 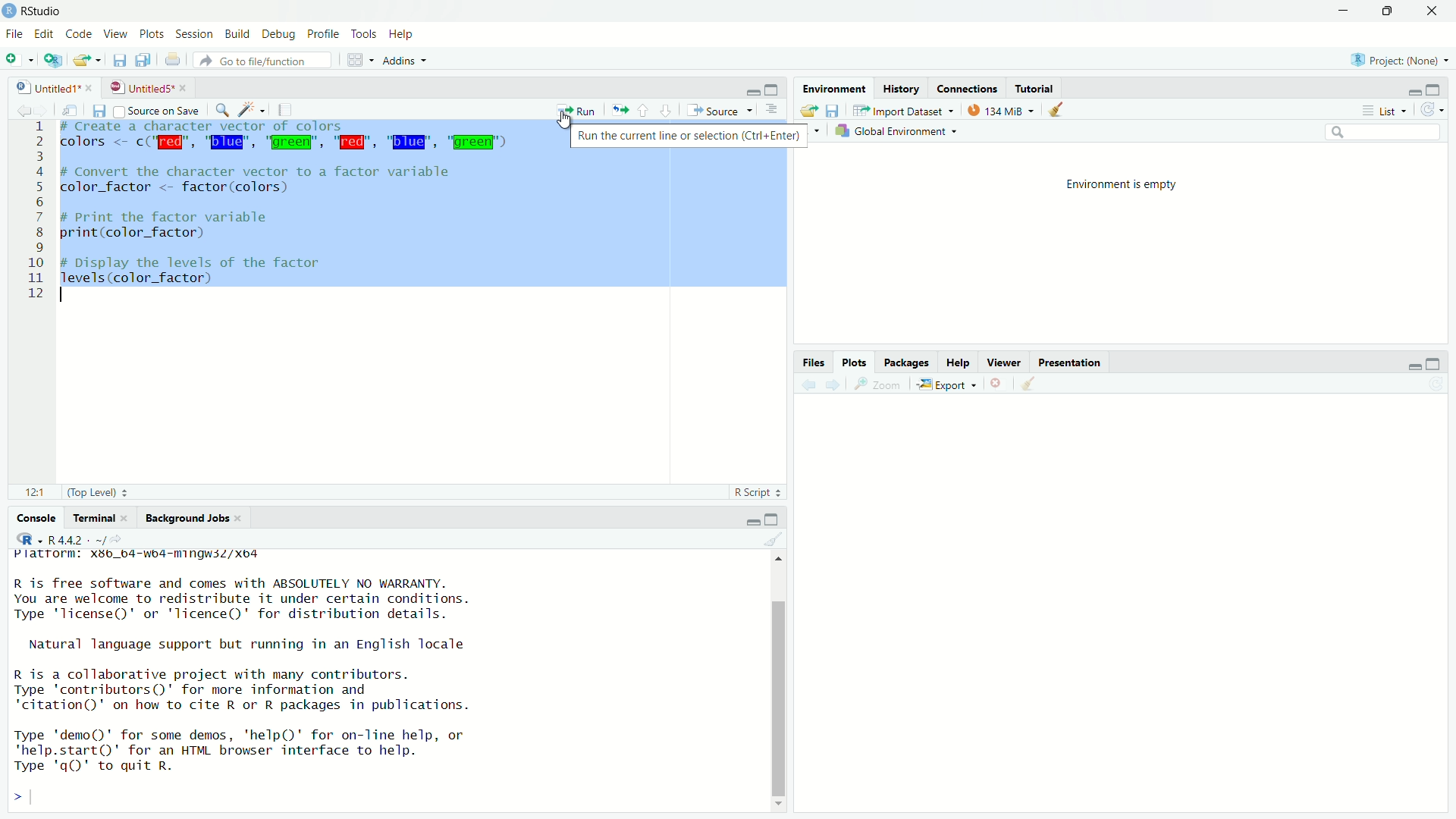 I want to click on file, so click(x=14, y=35).